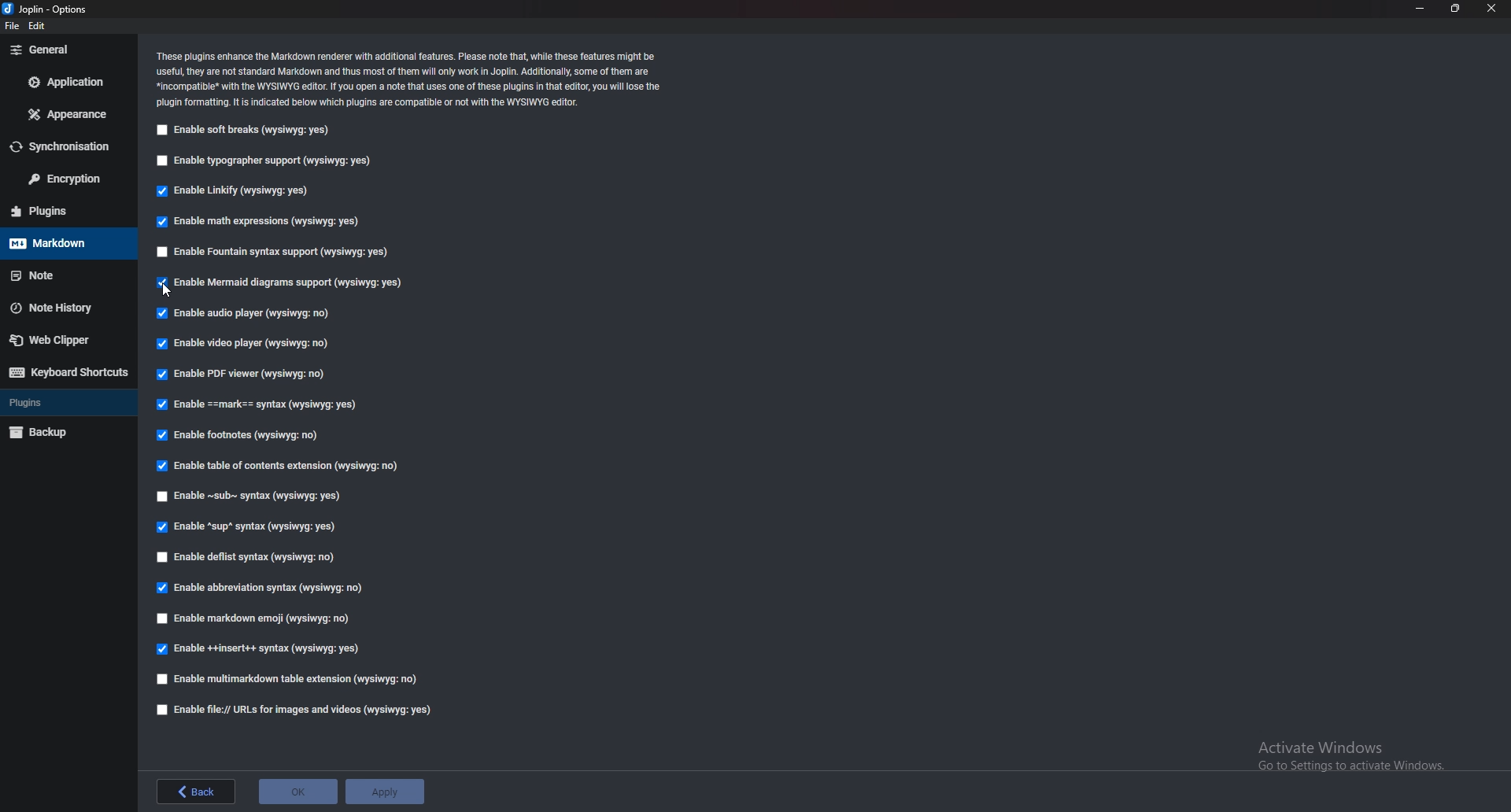  Describe the element at coordinates (68, 179) in the screenshot. I see `Encryption` at that location.